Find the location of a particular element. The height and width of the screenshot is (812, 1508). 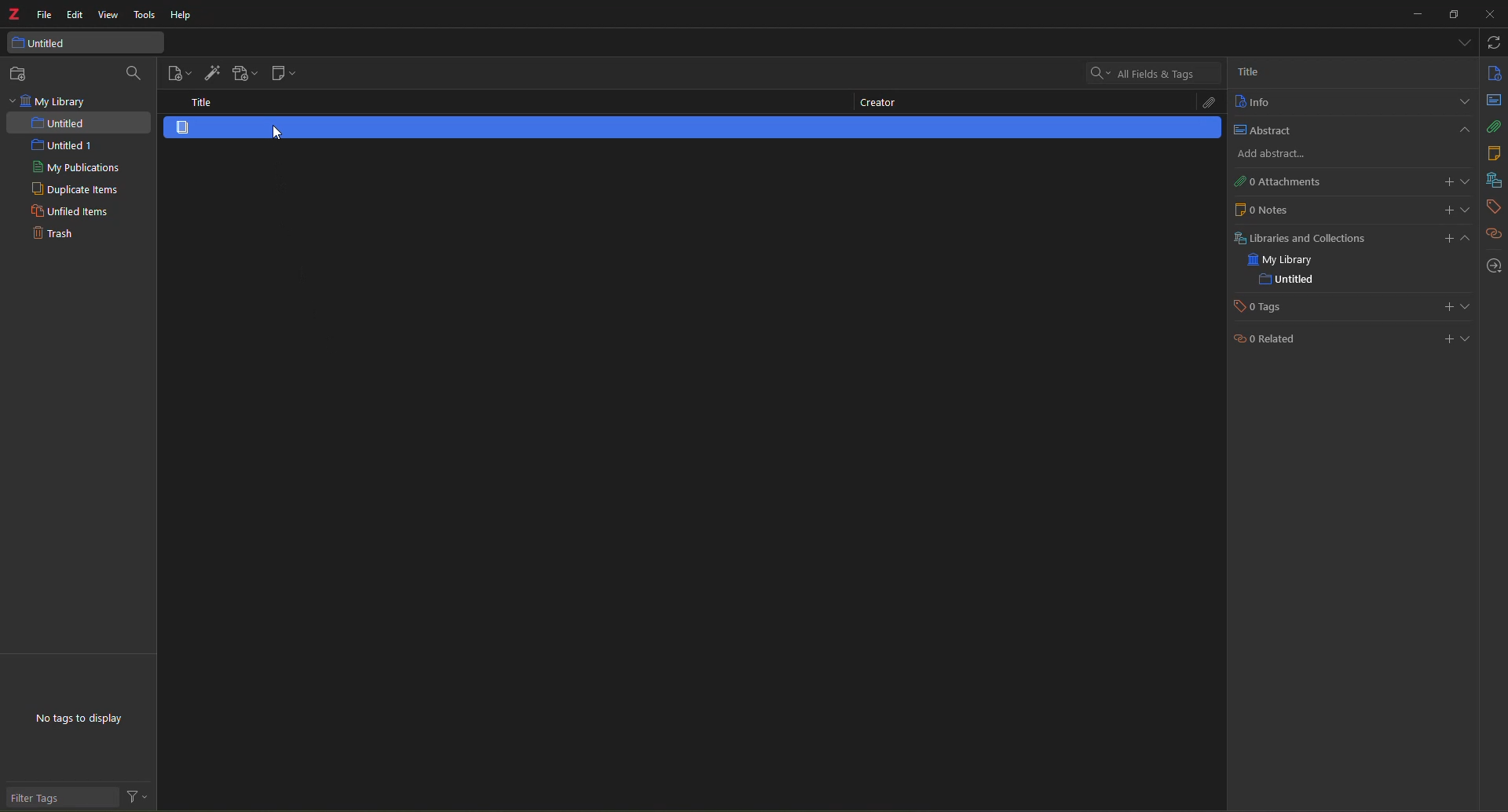

search is located at coordinates (1140, 72).